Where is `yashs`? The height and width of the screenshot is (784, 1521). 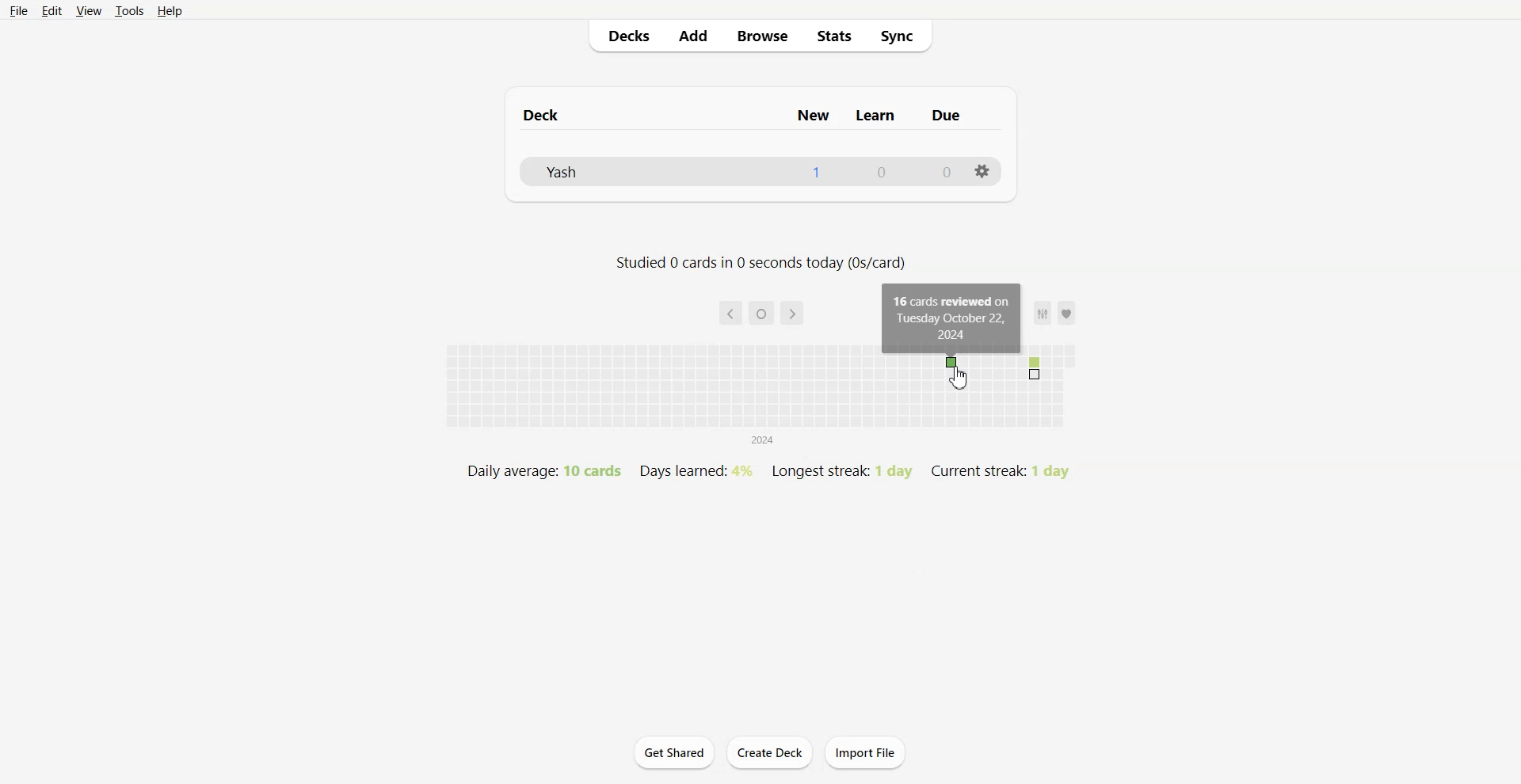 yashs is located at coordinates (581, 169).